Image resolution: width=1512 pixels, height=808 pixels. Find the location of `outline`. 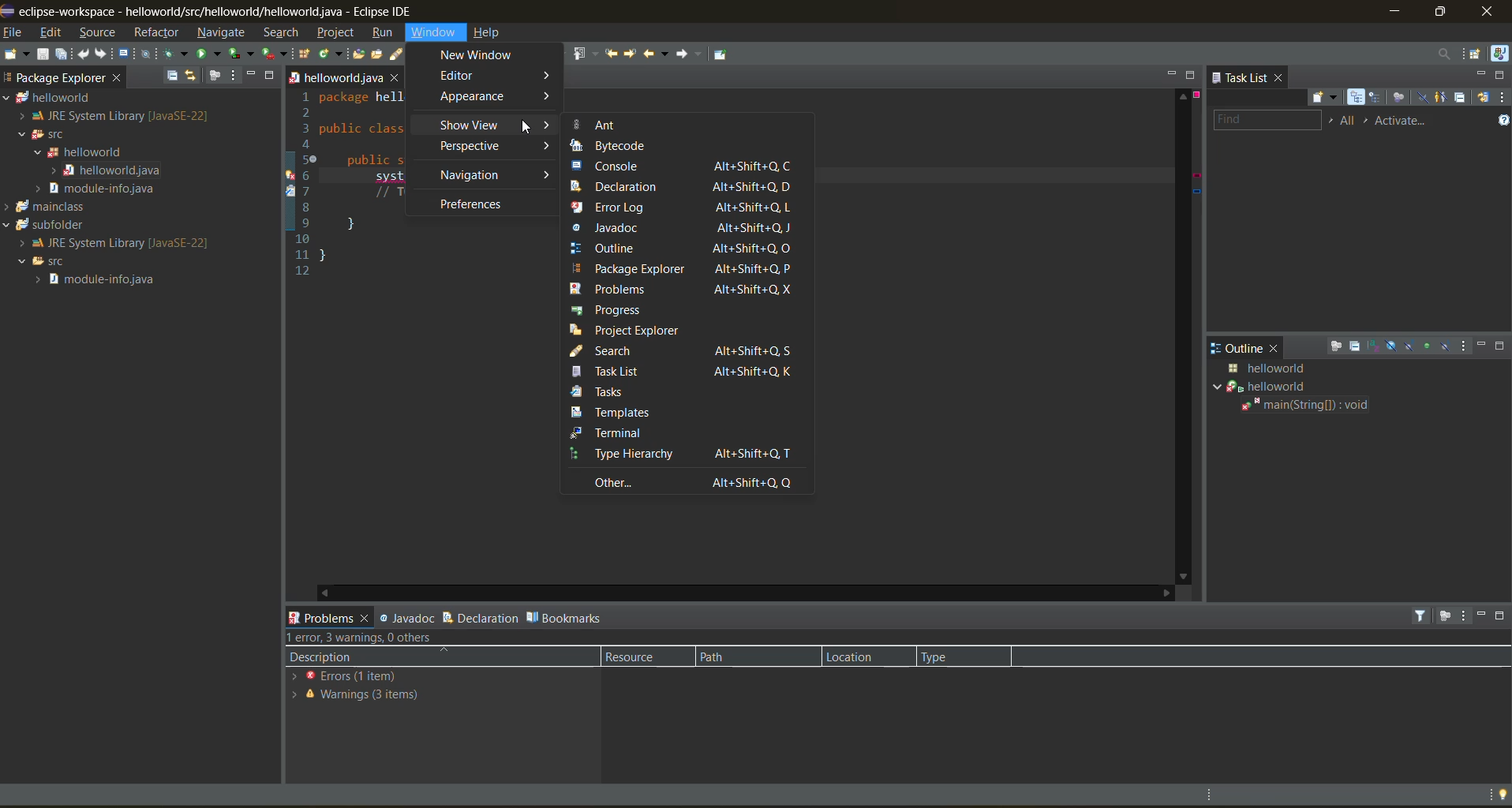

outline is located at coordinates (683, 248).